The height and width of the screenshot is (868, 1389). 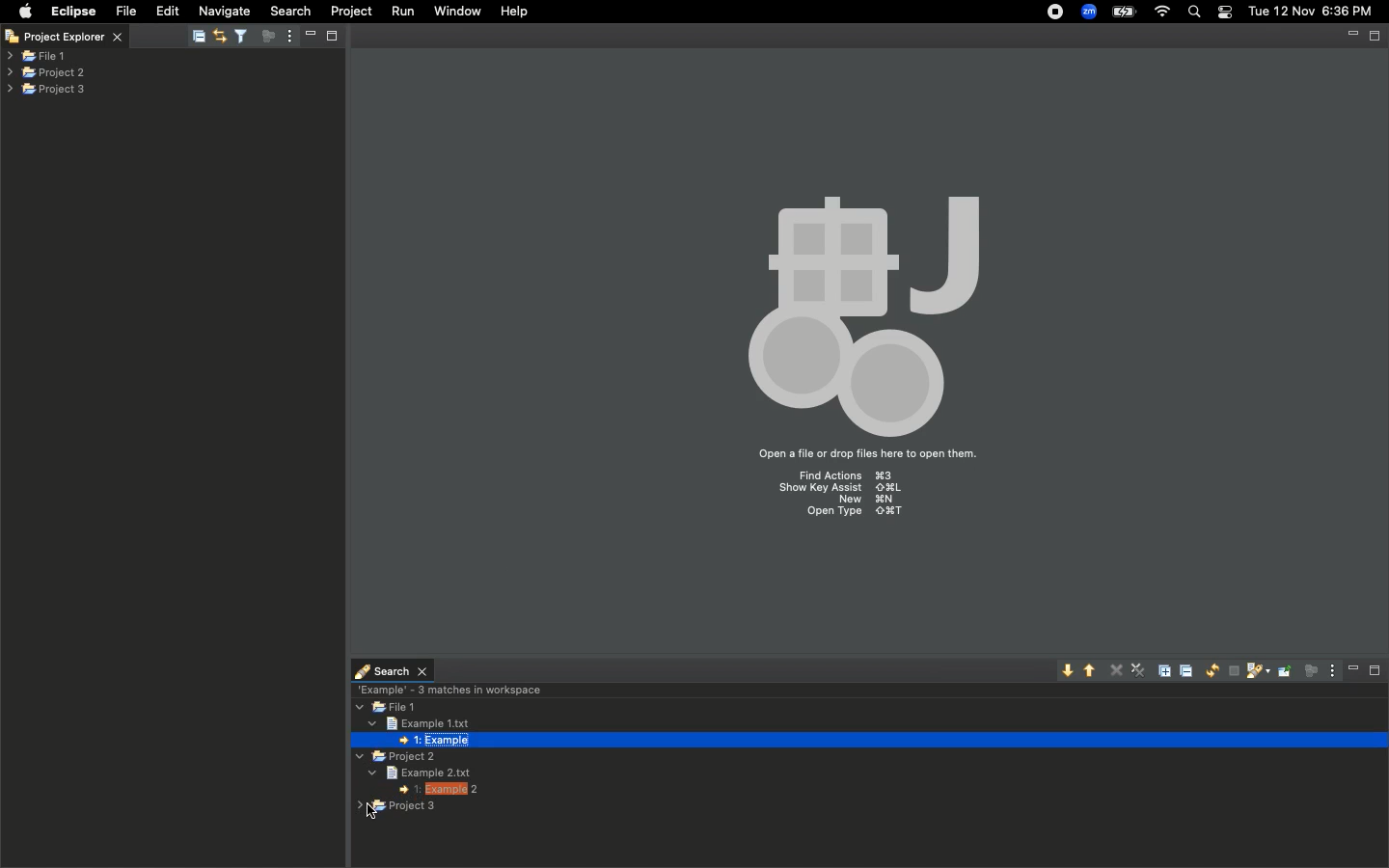 What do you see at coordinates (1162, 13) in the screenshot?
I see `Internet` at bounding box center [1162, 13].